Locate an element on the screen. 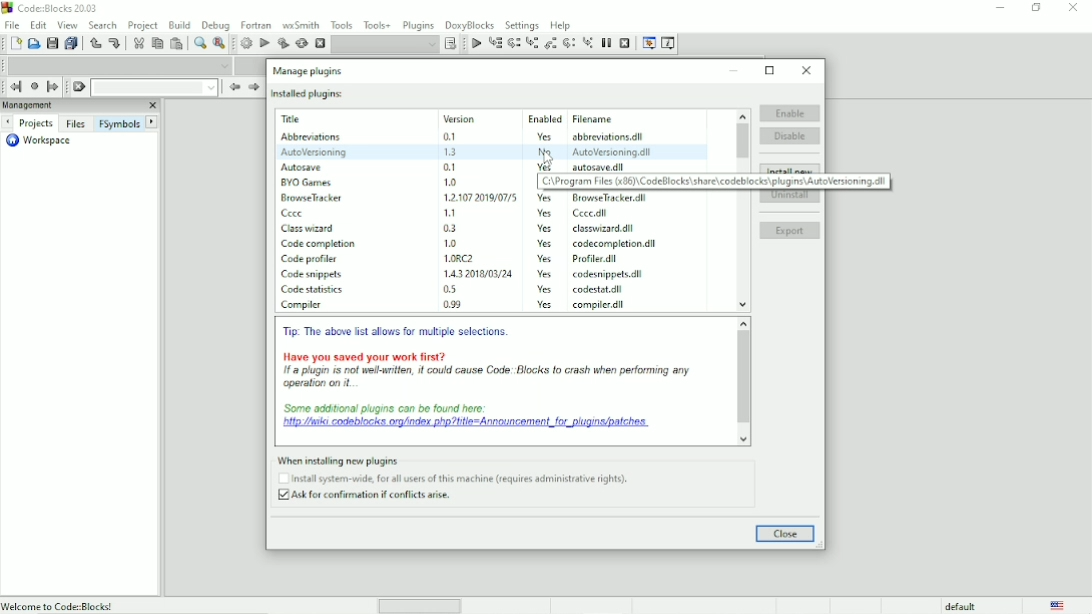 Image resolution: width=1092 pixels, height=614 pixels. Title is located at coordinates (319, 119).